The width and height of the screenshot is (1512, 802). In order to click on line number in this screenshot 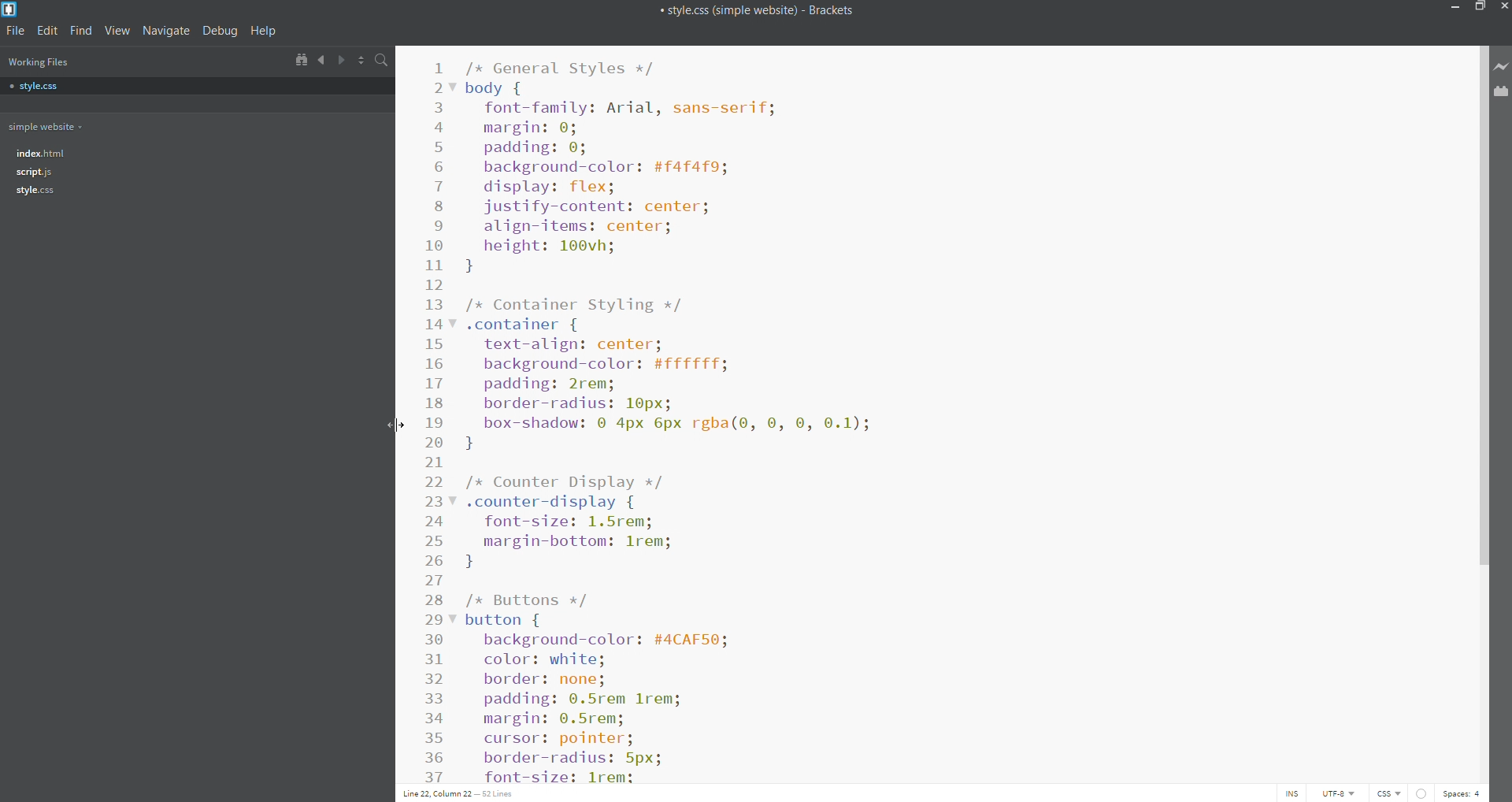, I will do `click(435, 421)`.